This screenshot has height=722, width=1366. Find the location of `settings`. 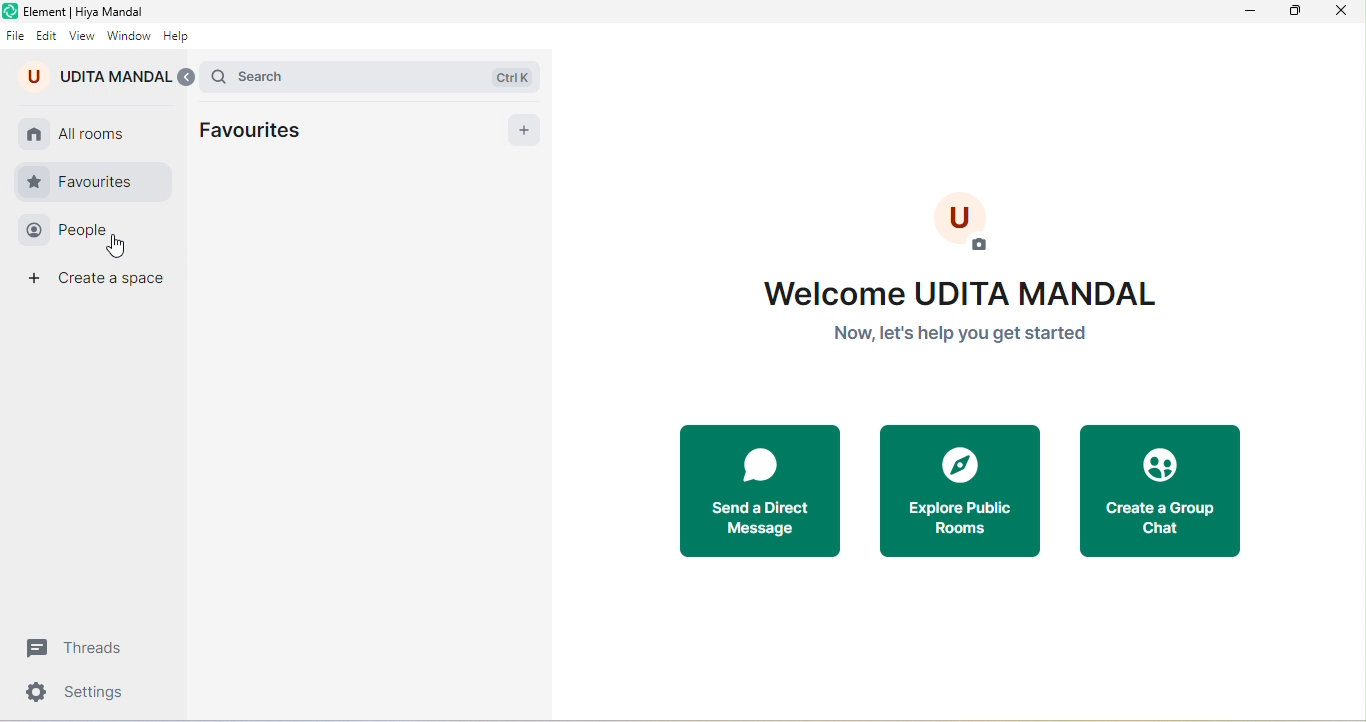

settings is located at coordinates (84, 695).